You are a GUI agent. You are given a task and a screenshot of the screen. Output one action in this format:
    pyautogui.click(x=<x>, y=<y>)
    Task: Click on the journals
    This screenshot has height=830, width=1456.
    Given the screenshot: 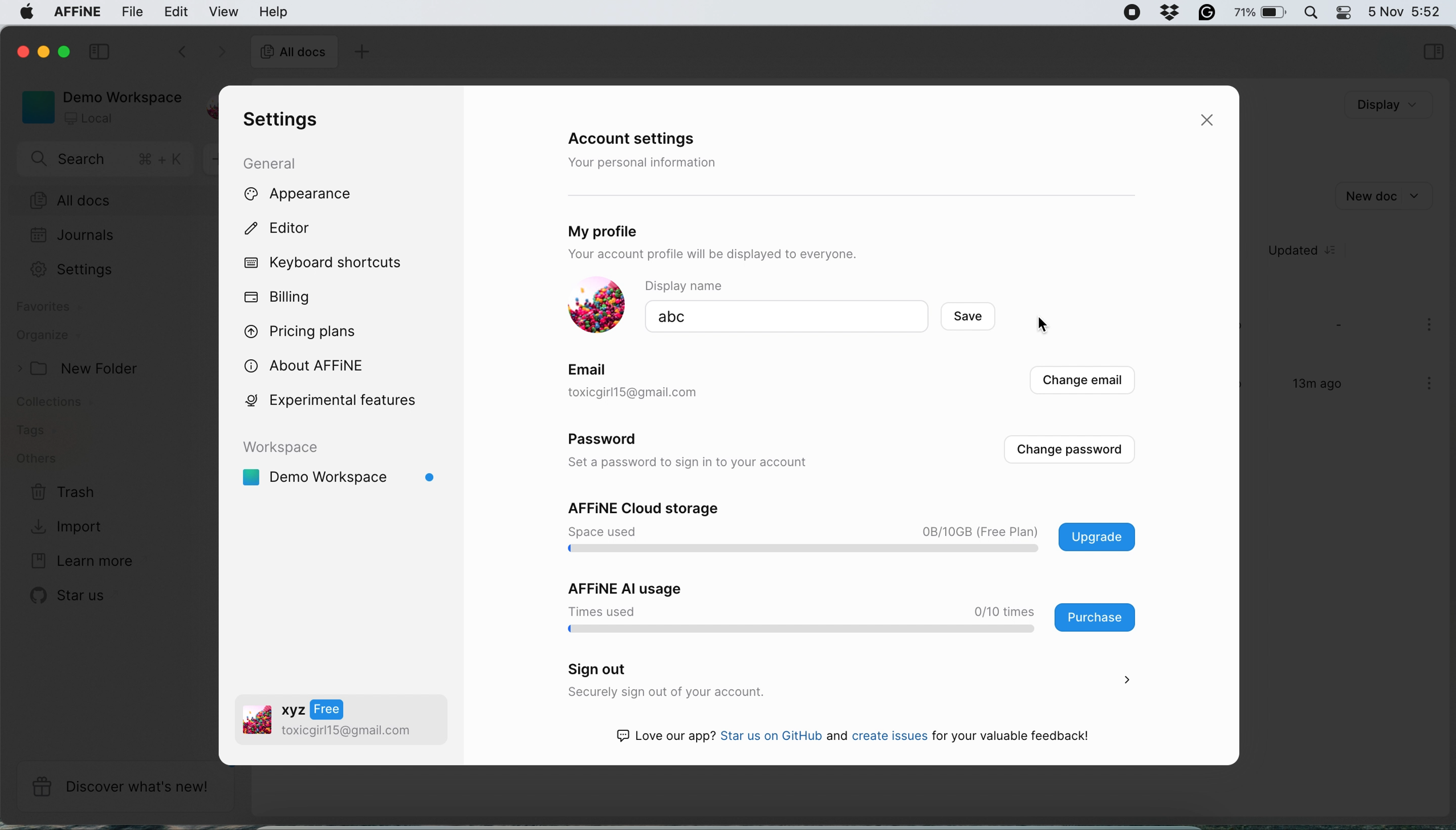 What is the action you would take?
    pyautogui.click(x=72, y=237)
    